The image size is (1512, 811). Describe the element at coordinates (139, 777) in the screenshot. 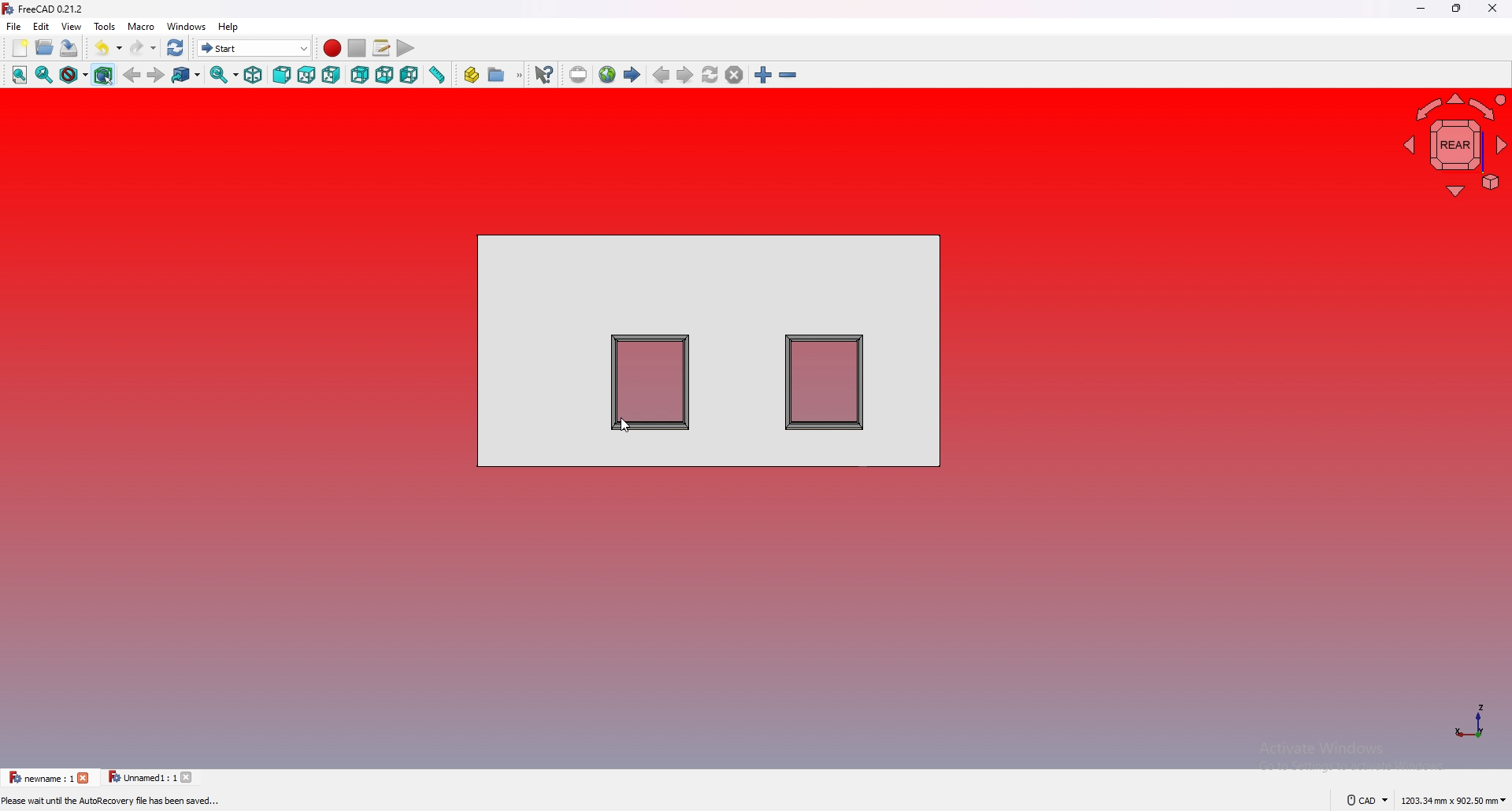

I see `tab 2` at that location.